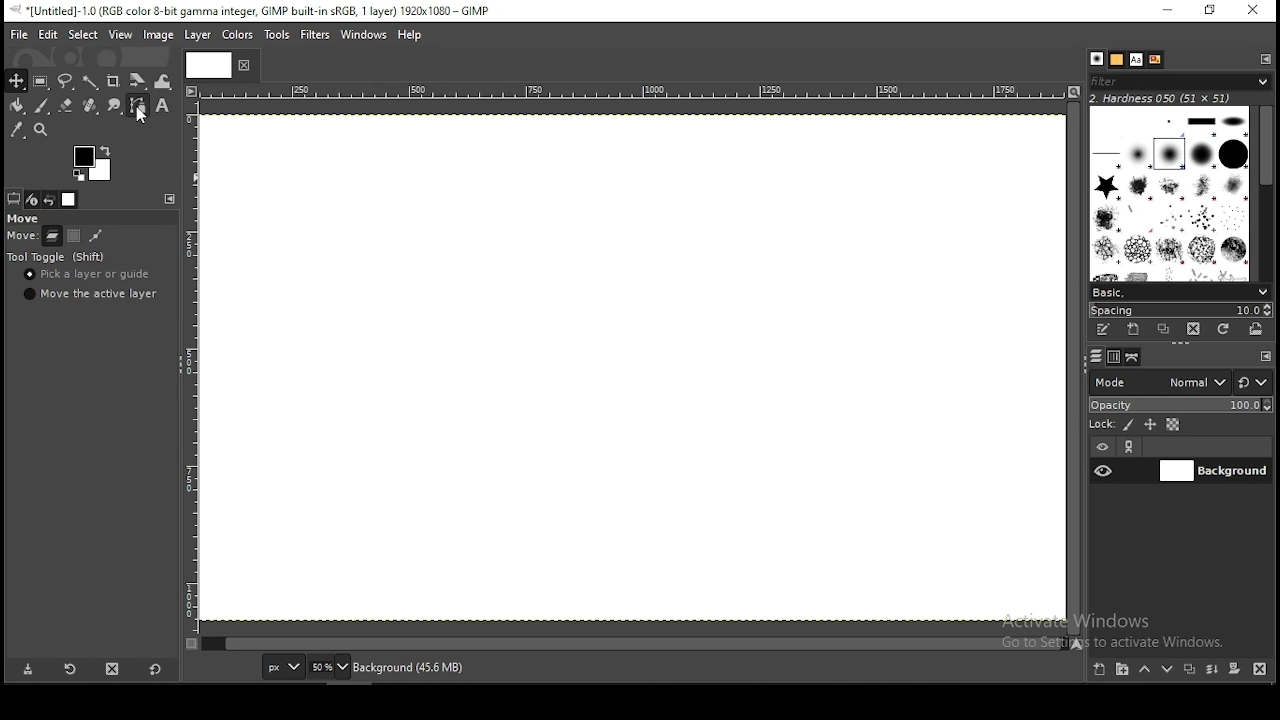 This screenshot has height=720, width=1280. What do you see at coordinates (50, 199) in the screenshot?
I see `undo history` at bounding box center [50, 199].